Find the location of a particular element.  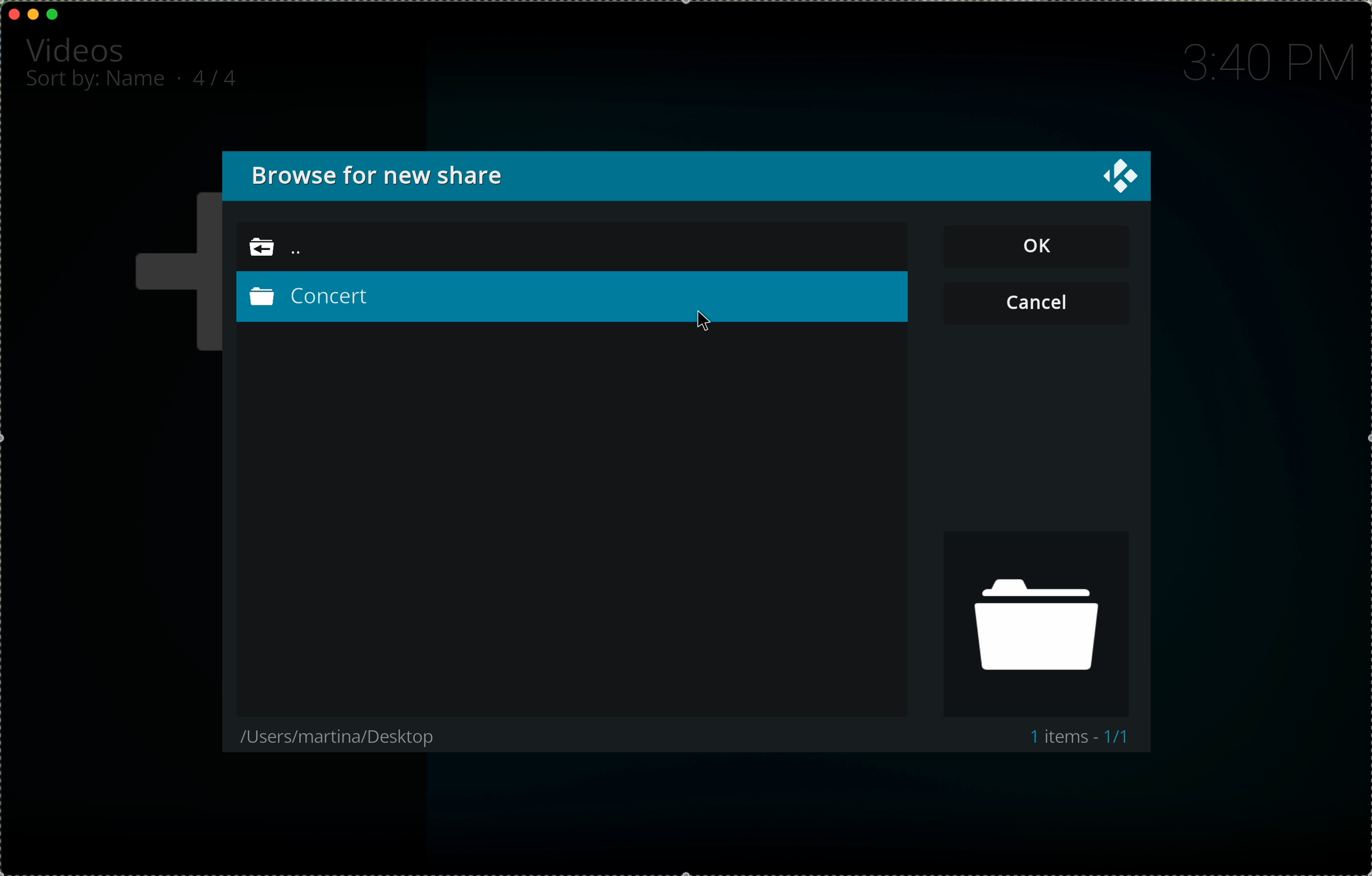

sort by: name is located at coordinates (97, 83).